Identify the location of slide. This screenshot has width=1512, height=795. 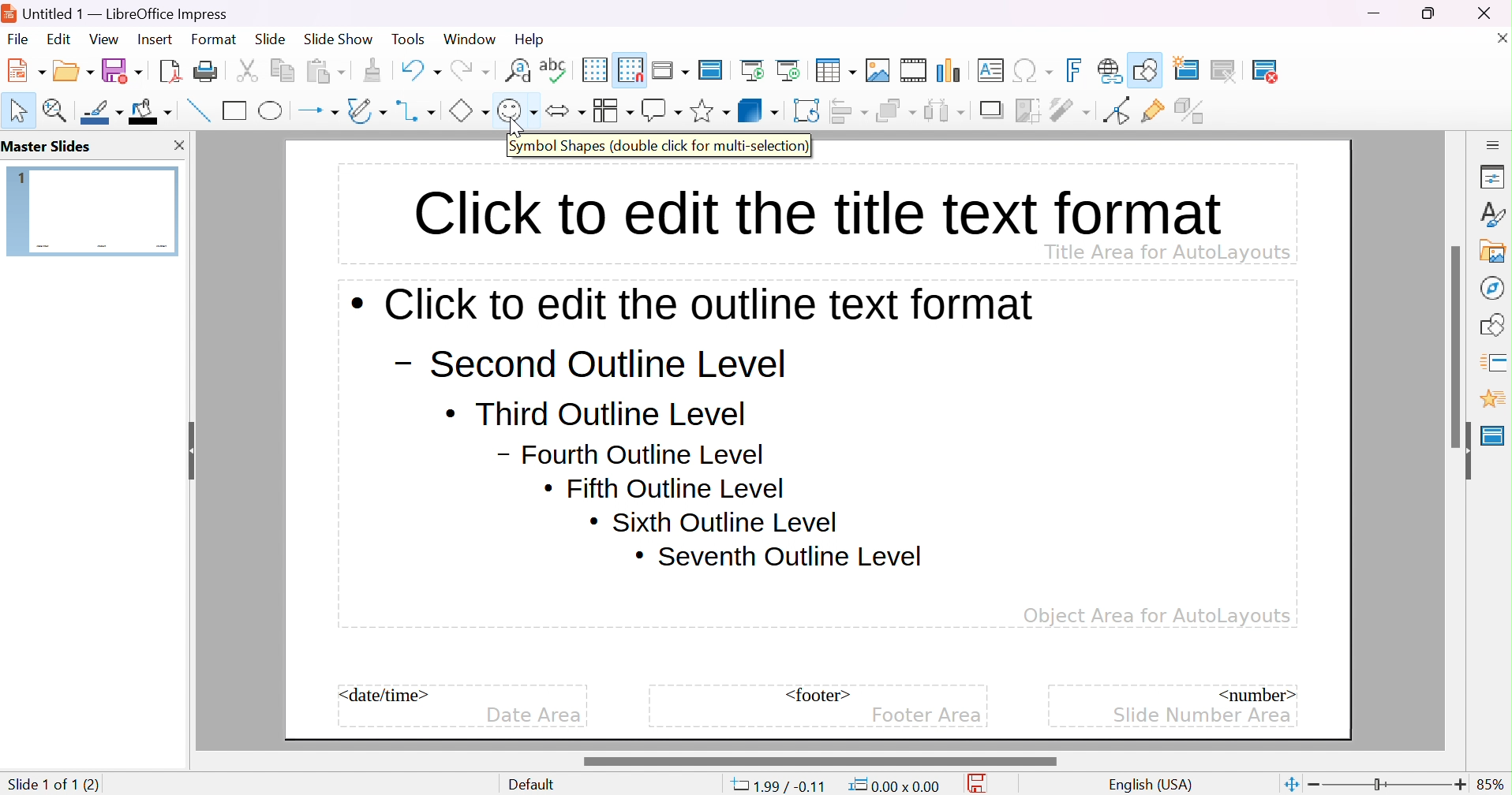
(93, 210).